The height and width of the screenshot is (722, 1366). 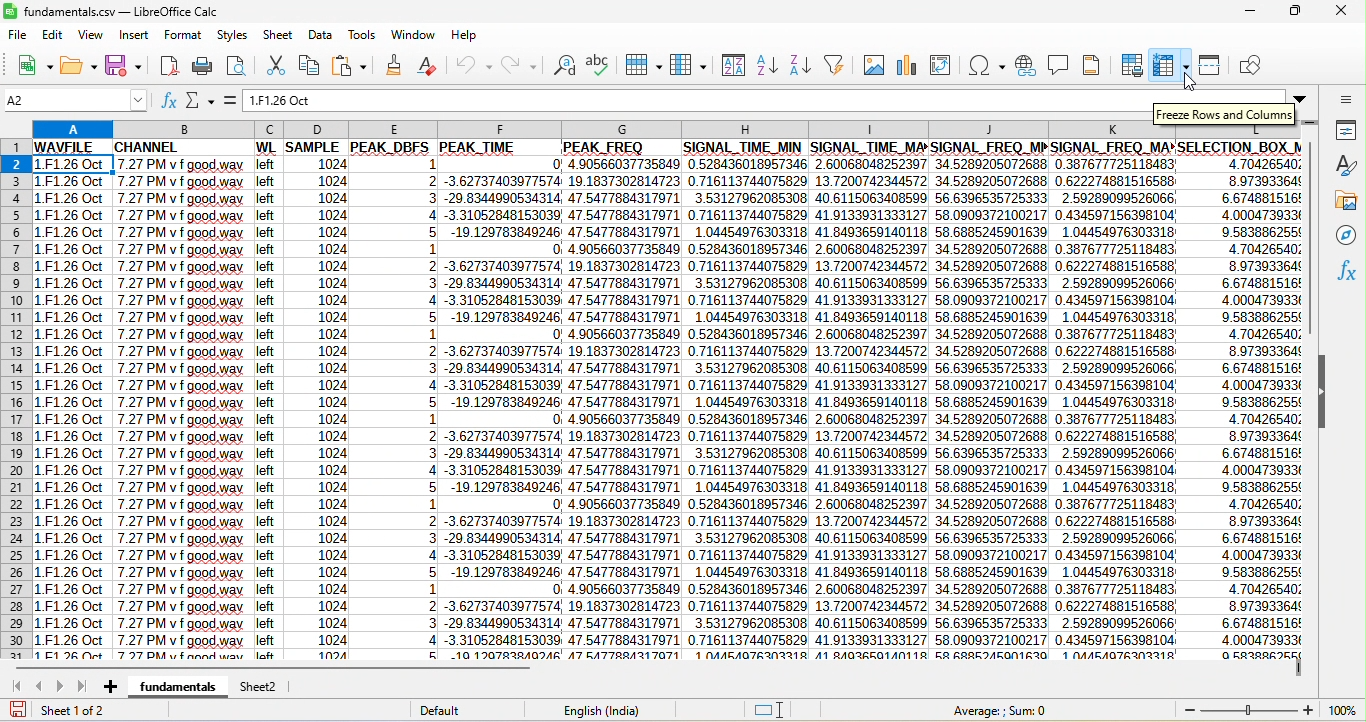 What do you see at coordinates (321, 37) in the screenshot?
I see `data` at bounding box center [321, 37].